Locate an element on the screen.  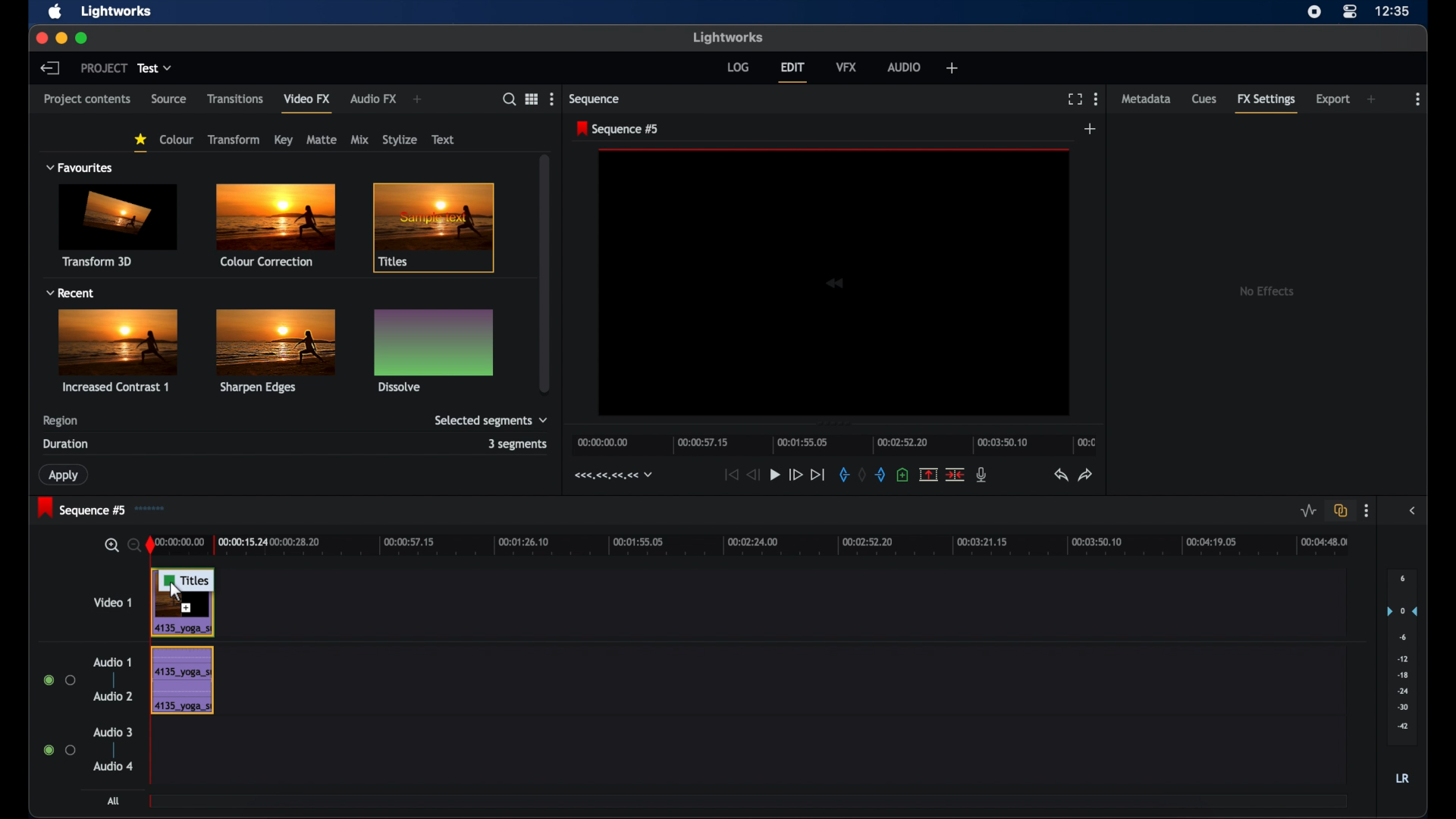
3 segments is located at coordinates (518, 444).